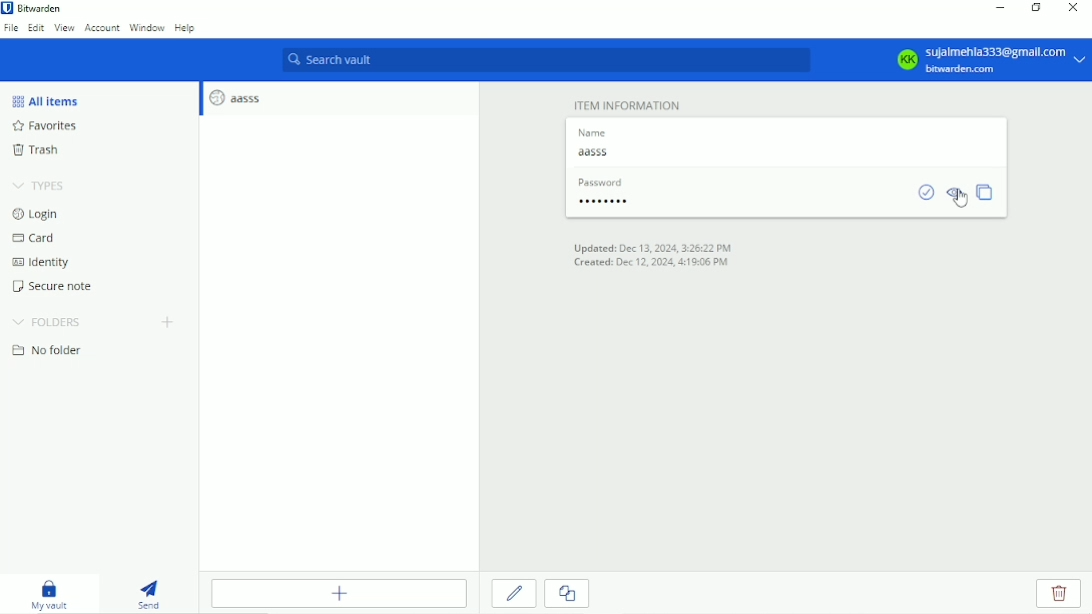  I want to click on Account options, so click(974, 60).